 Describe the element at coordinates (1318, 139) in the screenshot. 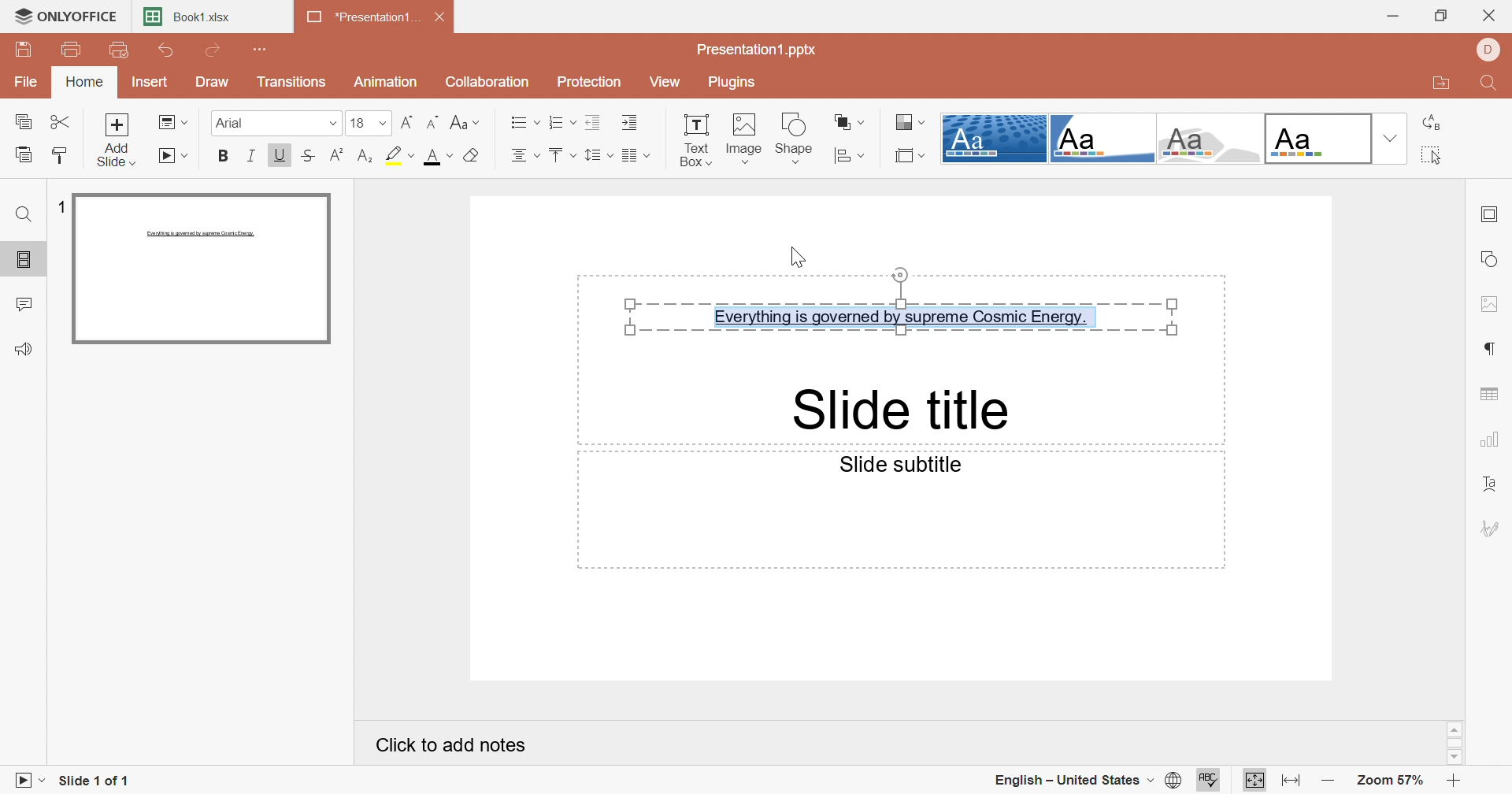

I see `Official` at that location.